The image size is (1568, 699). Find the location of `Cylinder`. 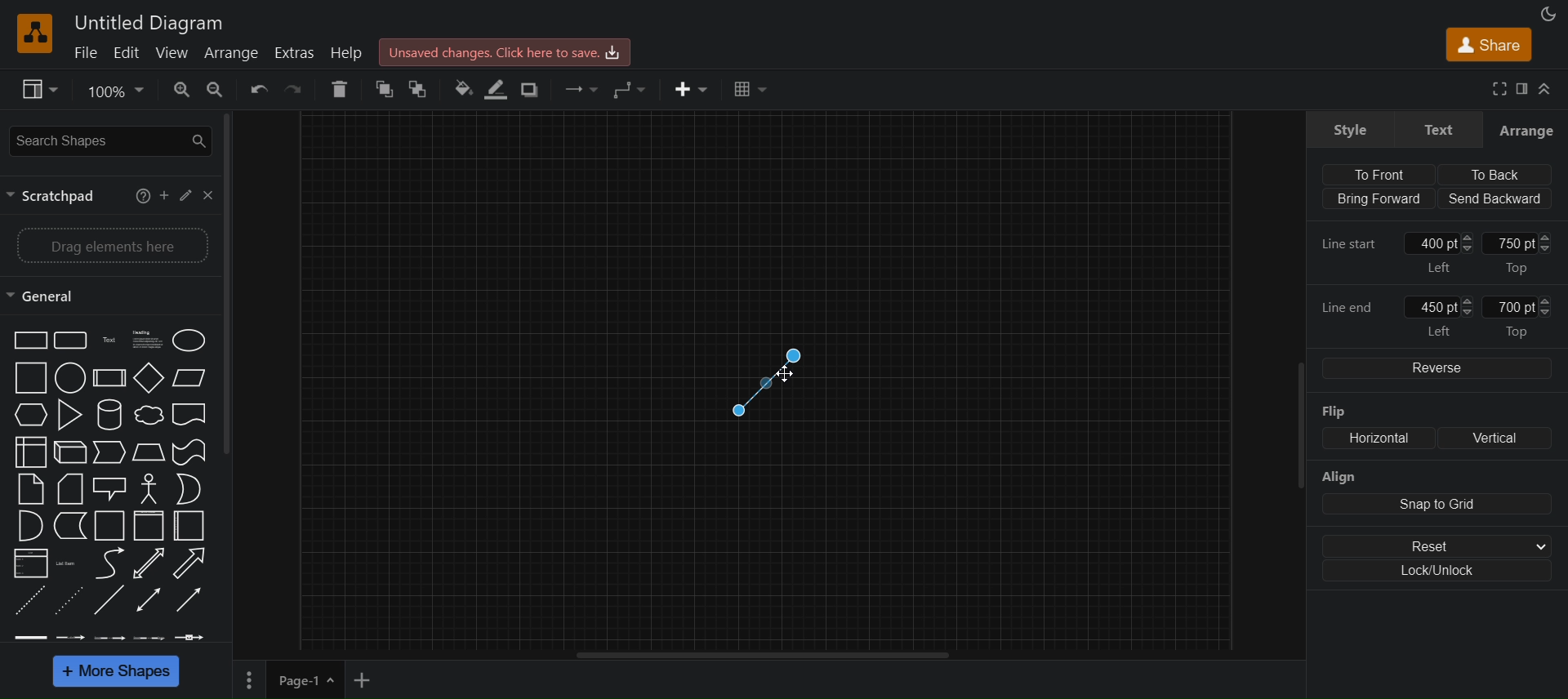

Cylinder is located at coordinates (107, 413).